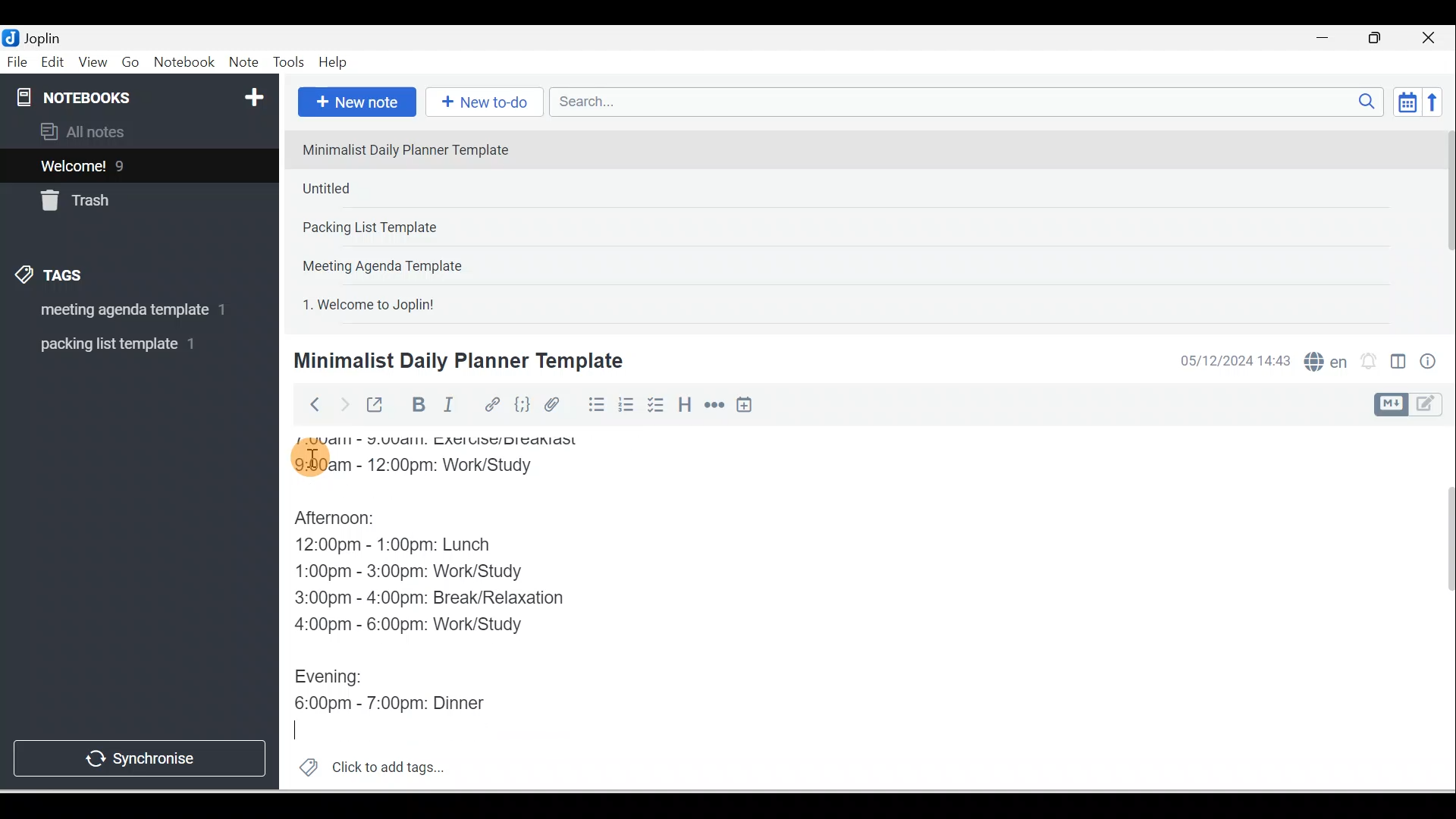 Image resolution: width=1456 pixels, height=819 pixels. I want to click on File, so click(18, 61).